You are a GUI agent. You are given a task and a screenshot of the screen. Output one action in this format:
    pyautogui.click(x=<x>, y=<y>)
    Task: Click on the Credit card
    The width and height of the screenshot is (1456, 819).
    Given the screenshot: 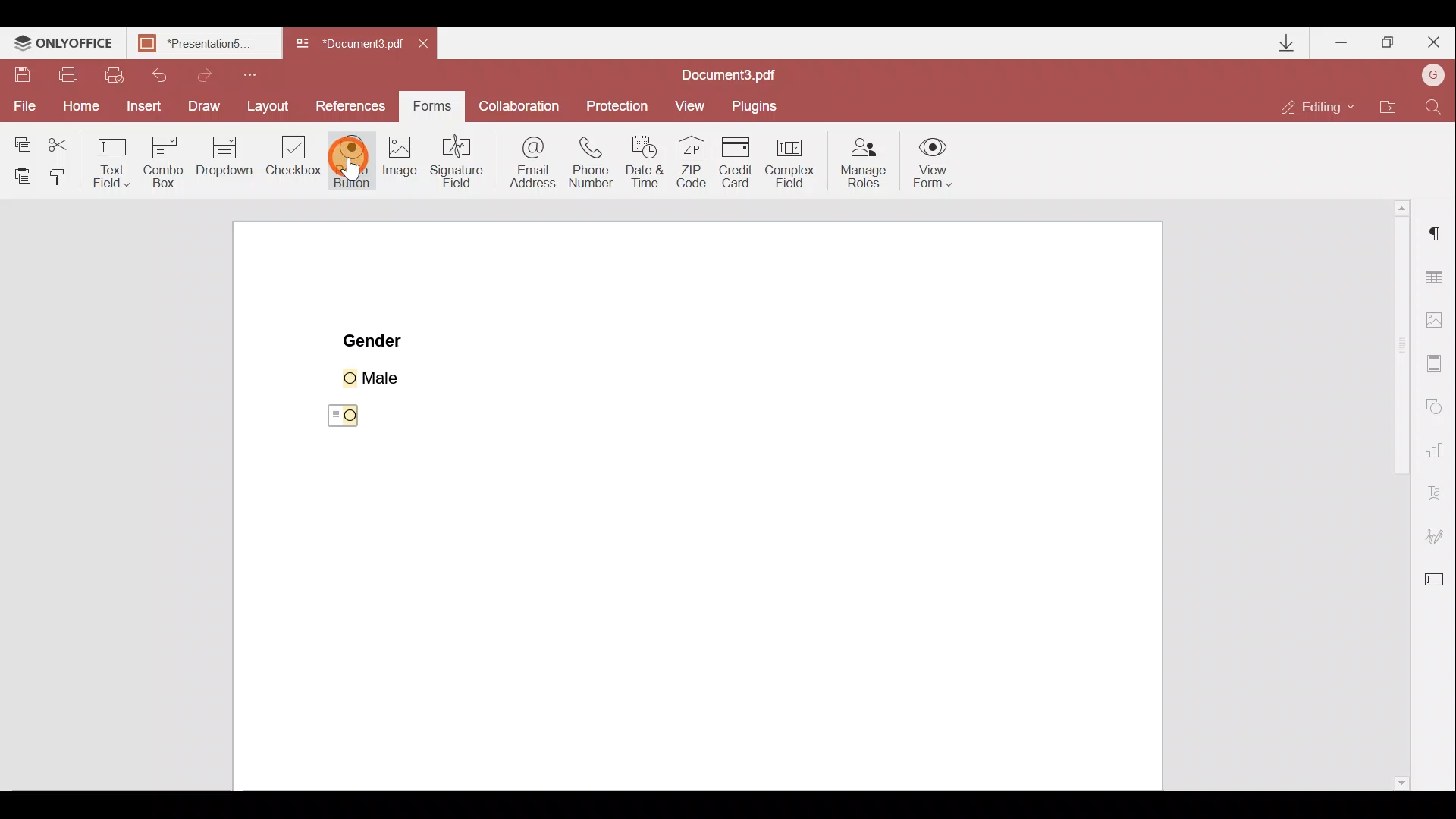 What is the action you would take?
    pyautogui.click(x=736, y=158)
    